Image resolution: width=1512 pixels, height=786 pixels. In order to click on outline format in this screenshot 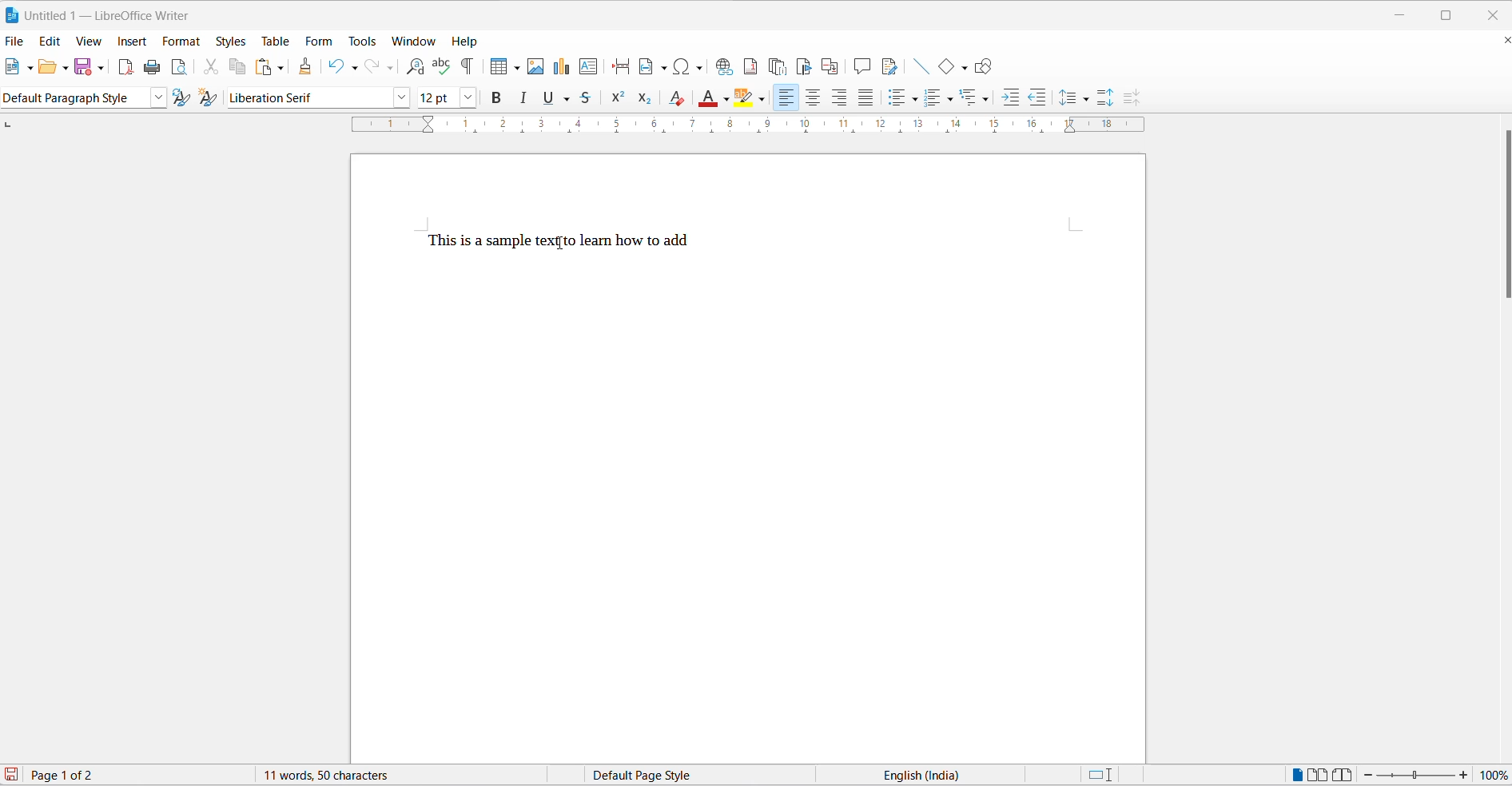, I will do `click(974, 97)`.